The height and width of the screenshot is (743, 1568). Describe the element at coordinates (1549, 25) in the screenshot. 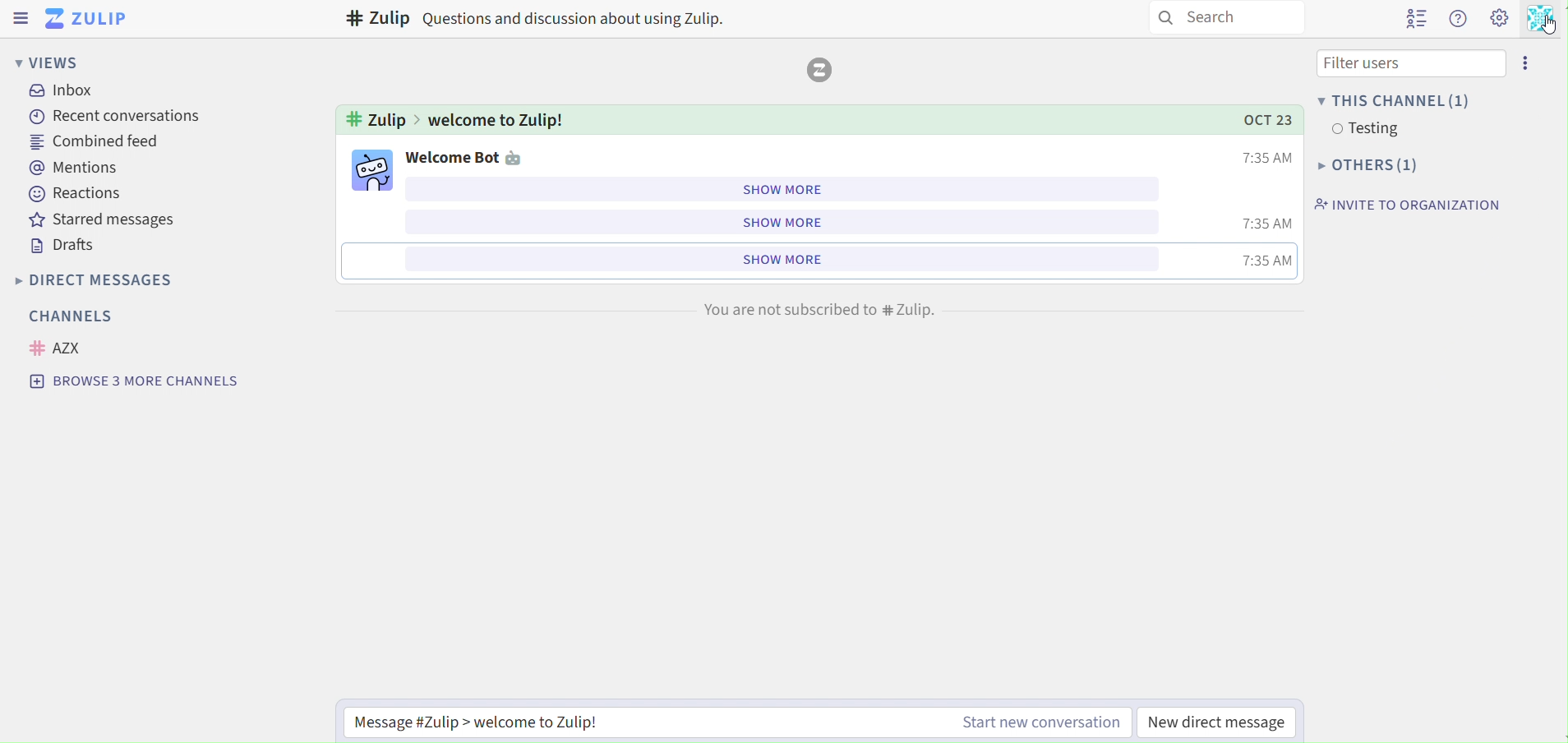

I see `cursor` at that location.